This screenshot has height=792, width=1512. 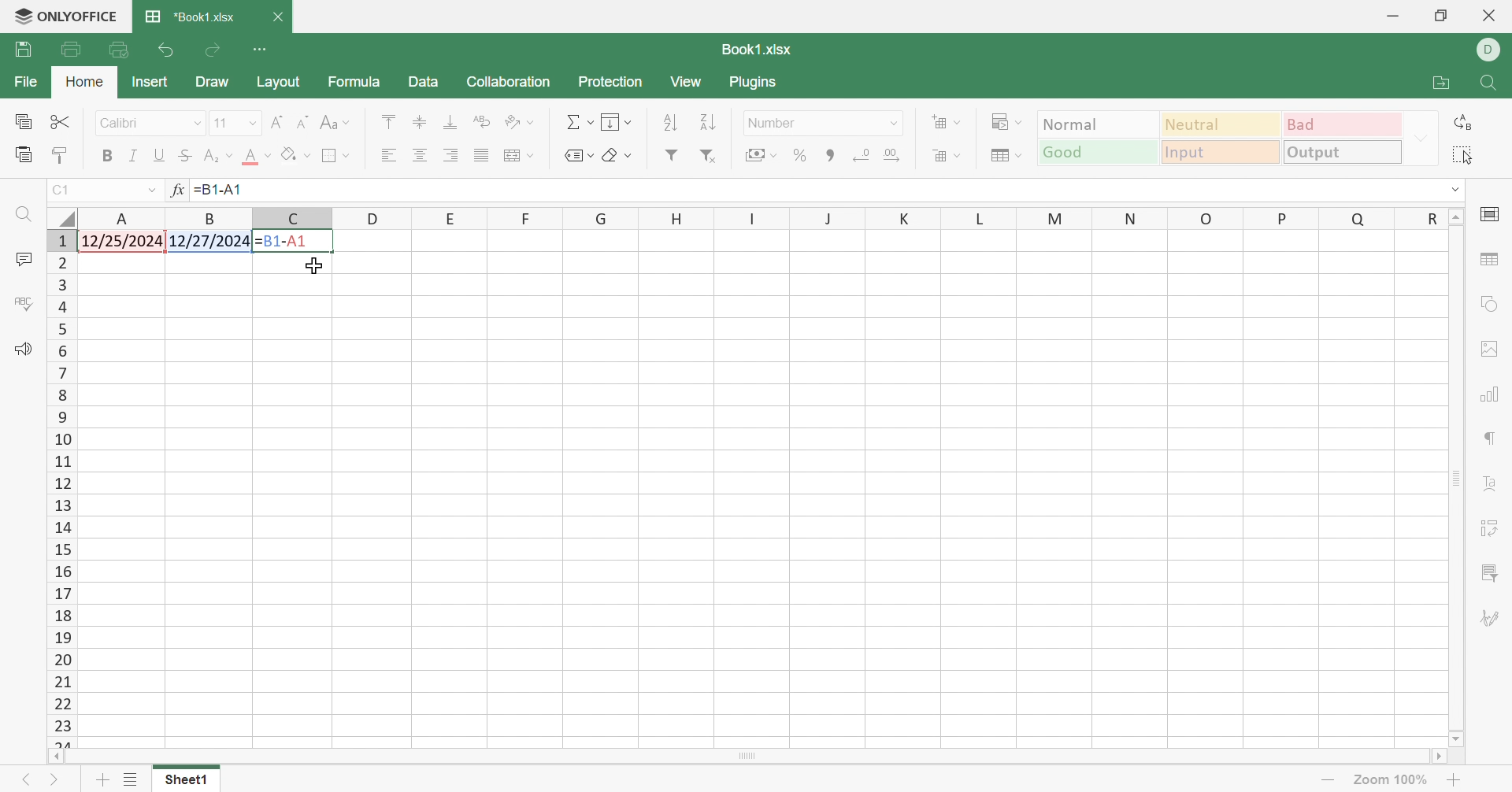 What do you see at coordinates (706, 122) in the screenshot?
I see `Descending order` at bounding box center [706, 122].